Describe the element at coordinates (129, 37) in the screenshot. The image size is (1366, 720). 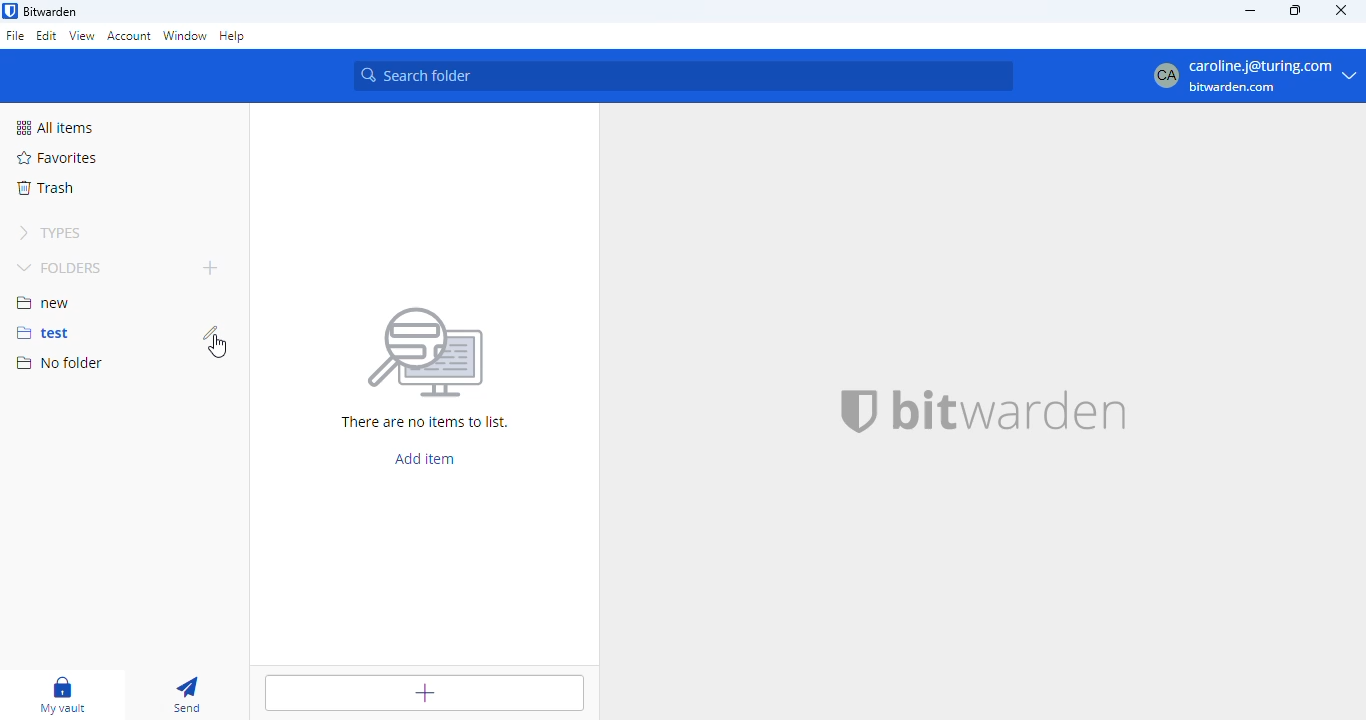
I see `account` at that location.